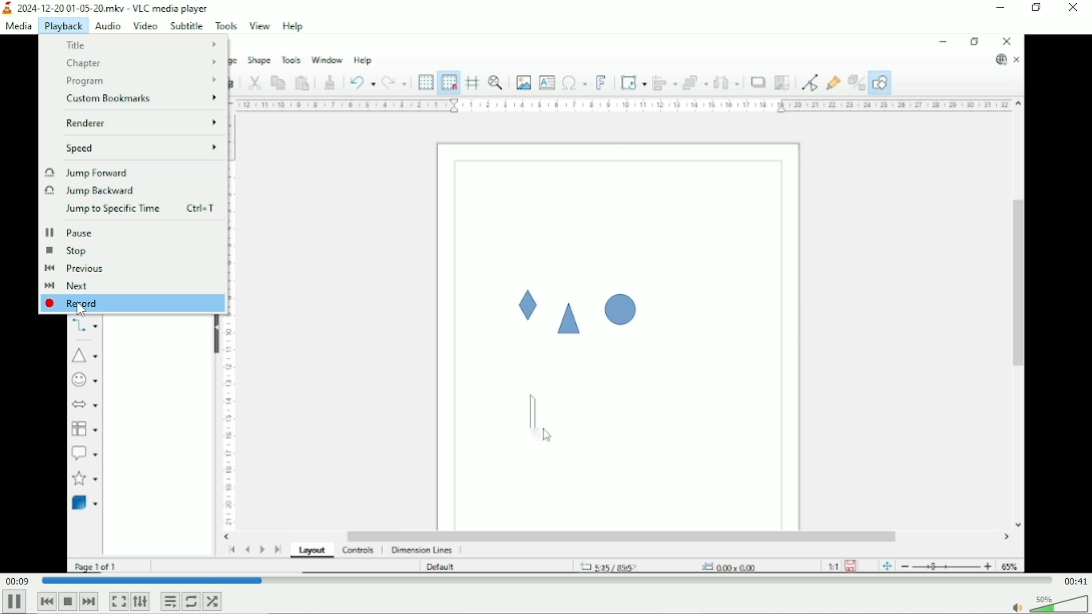 Image resolution: width=1092 pixels, height=614 pixels. Describe the element at coordinates (140, 149) in the screenshot. I see `Speed` at that location.